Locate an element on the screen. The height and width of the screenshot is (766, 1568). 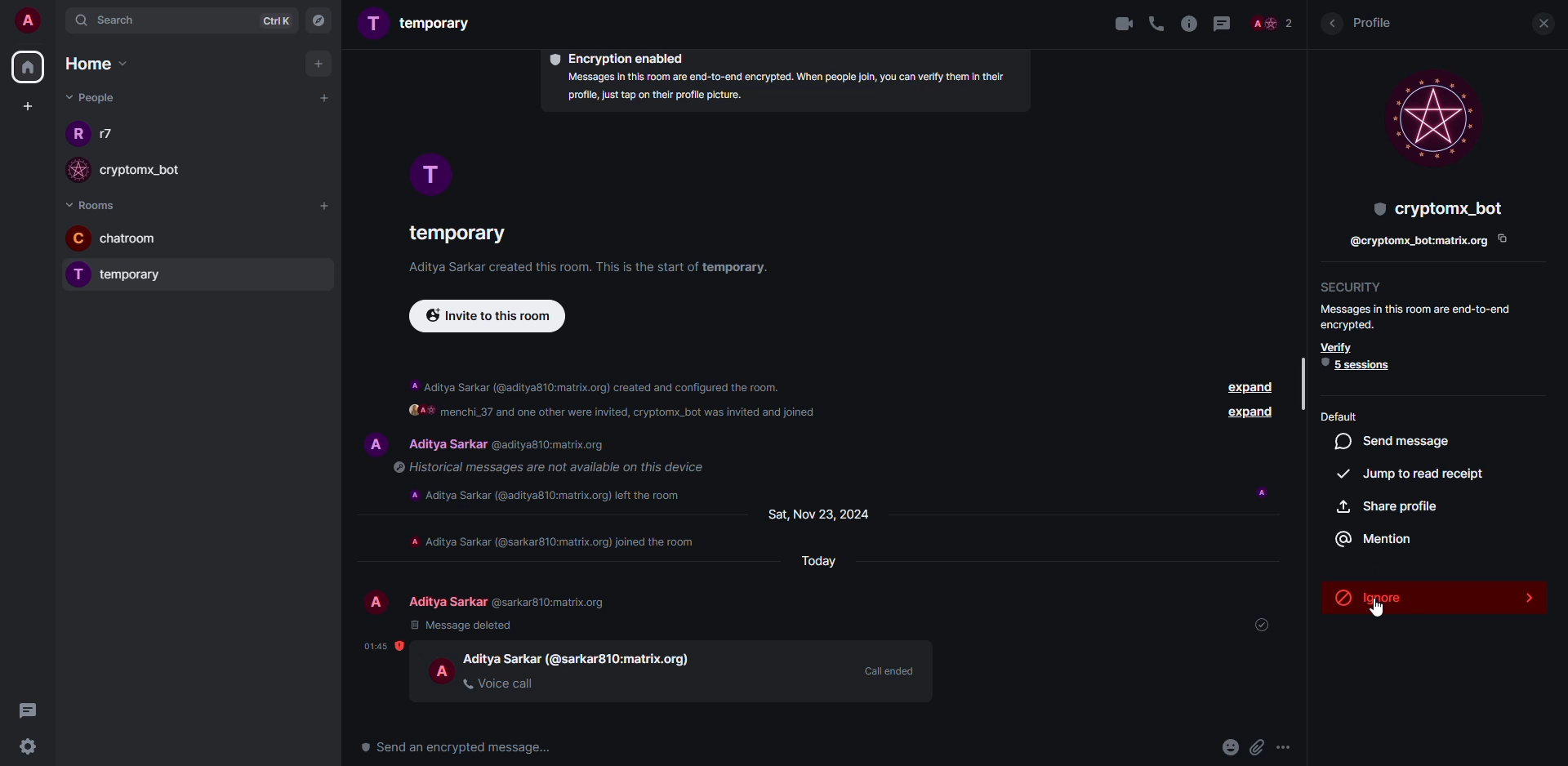
threads is located at coordinates (34, 710).